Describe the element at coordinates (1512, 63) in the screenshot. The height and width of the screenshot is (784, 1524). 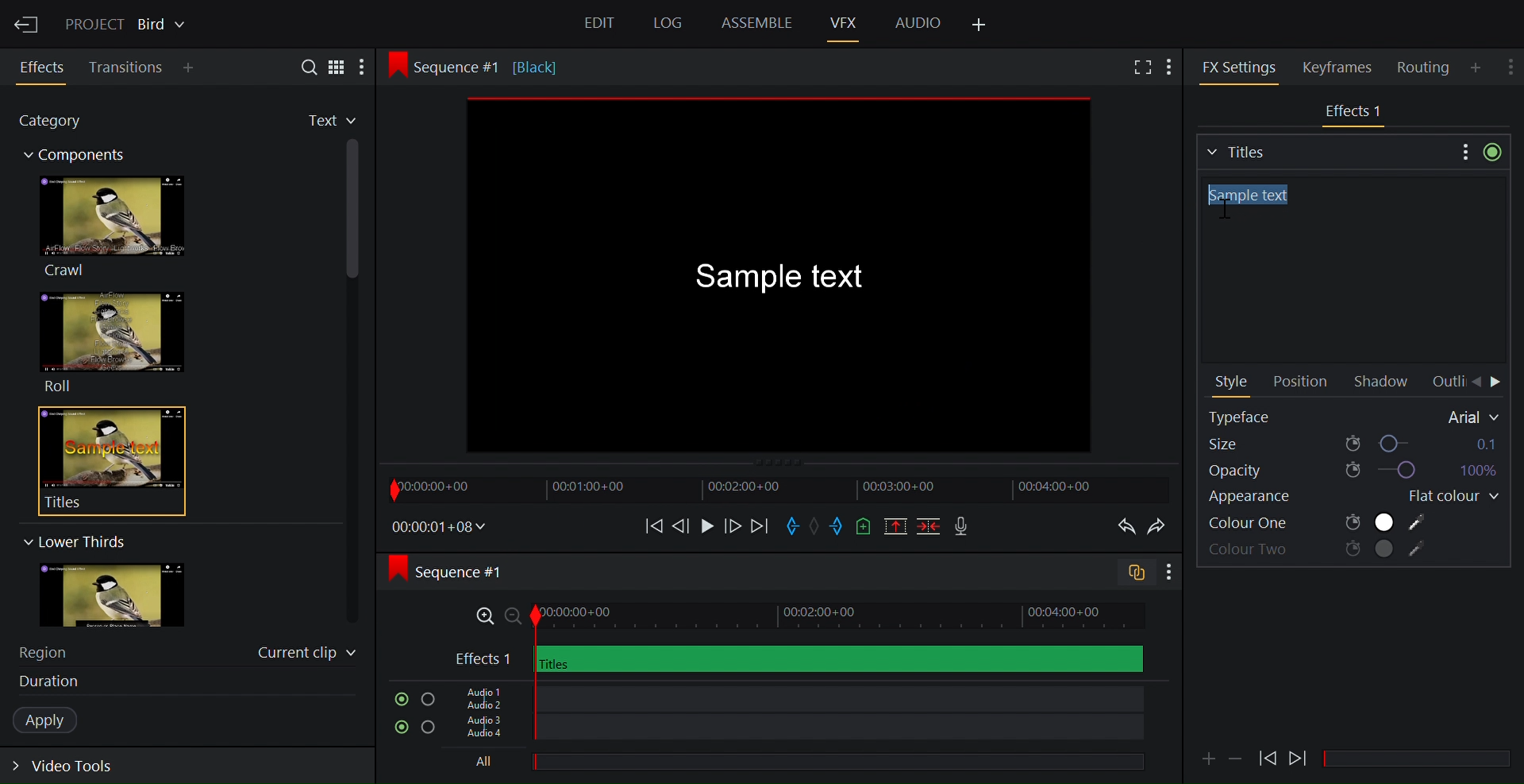
I see `Show settings menu` at that location.